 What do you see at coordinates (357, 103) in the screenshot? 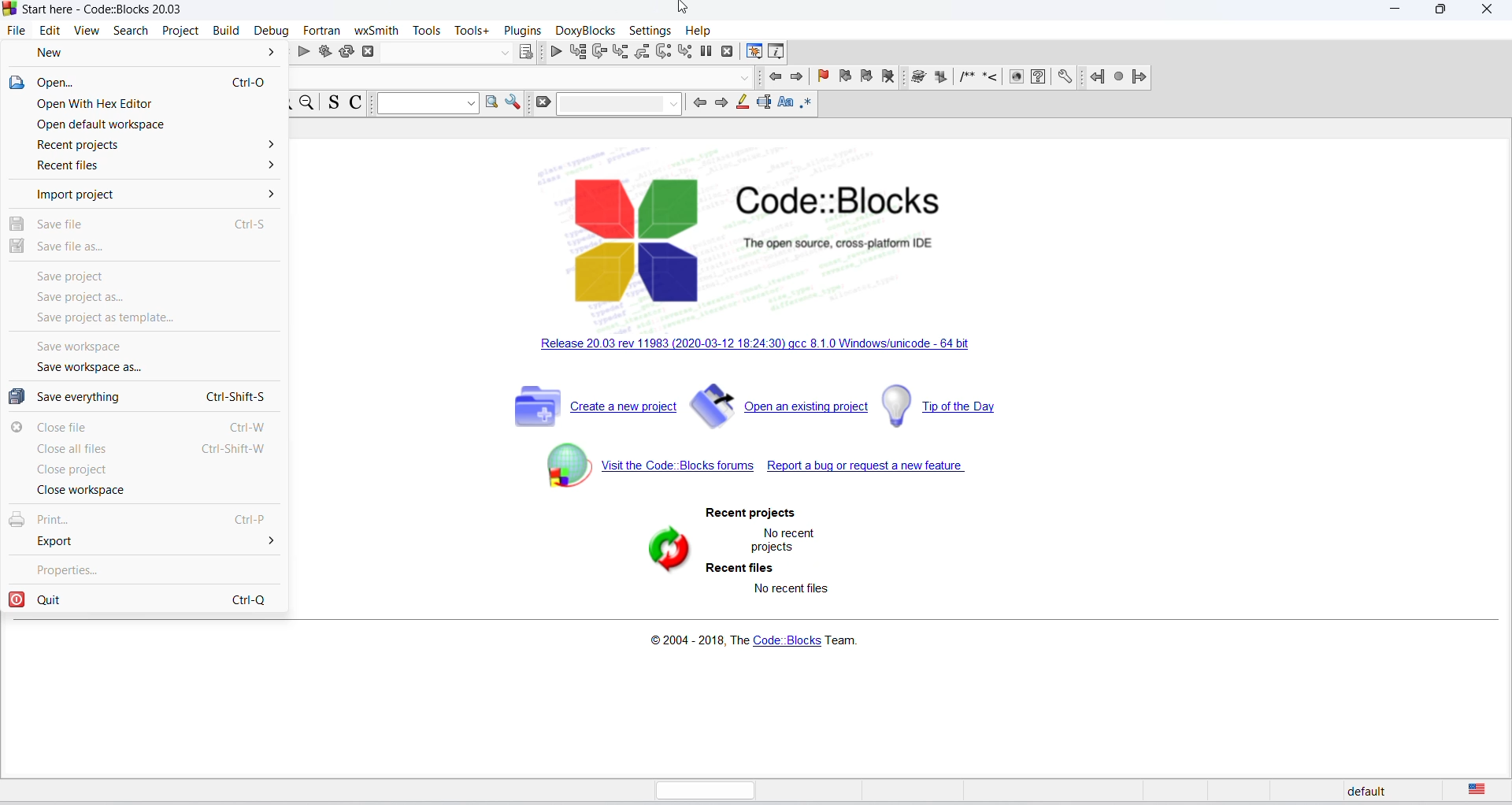
I see `toggle comments` at bounding box center [357, 103].